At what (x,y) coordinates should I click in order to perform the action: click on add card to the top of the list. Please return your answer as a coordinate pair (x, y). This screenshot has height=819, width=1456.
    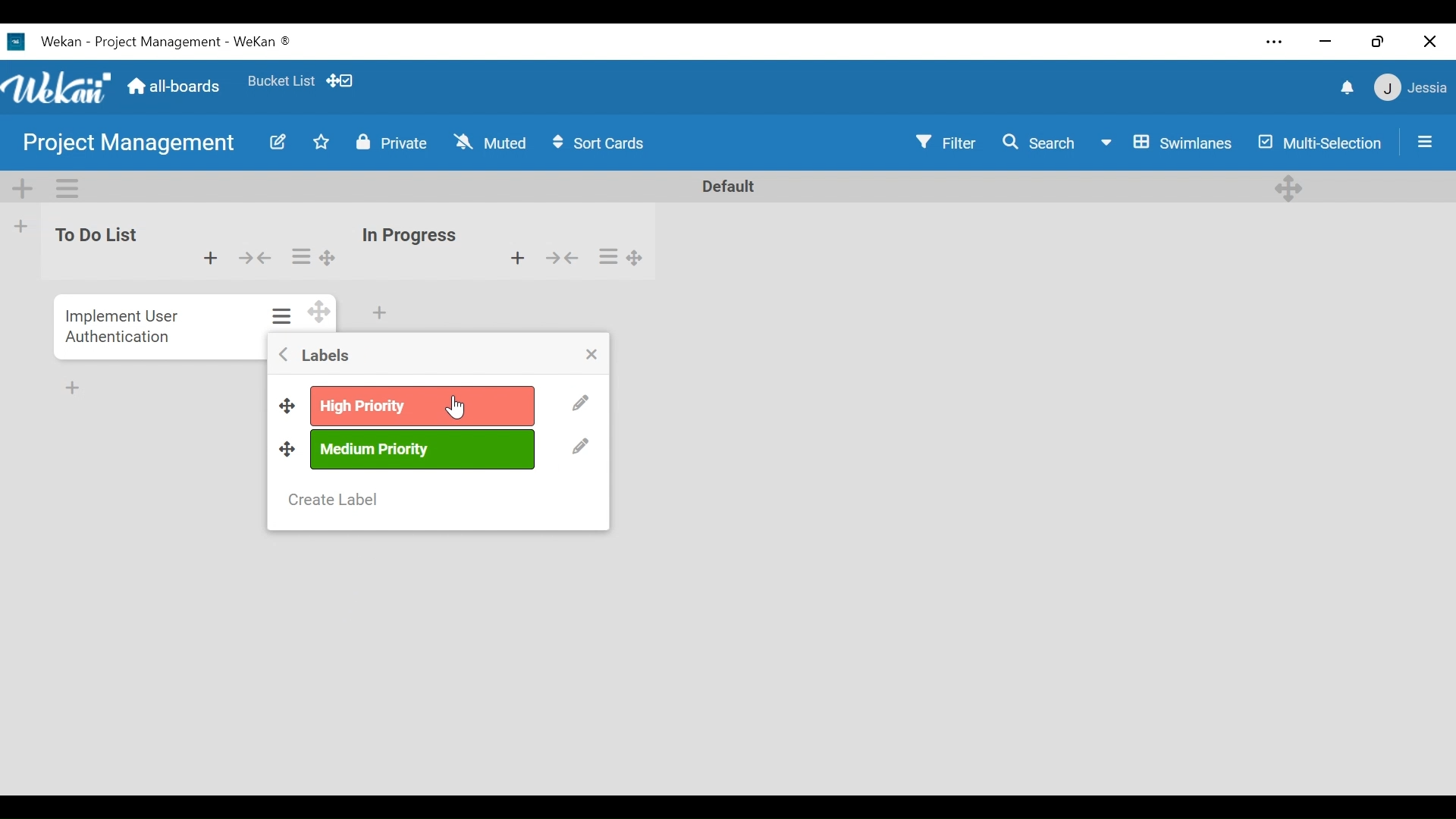
    Looking at the image, I should click on (516, 259).